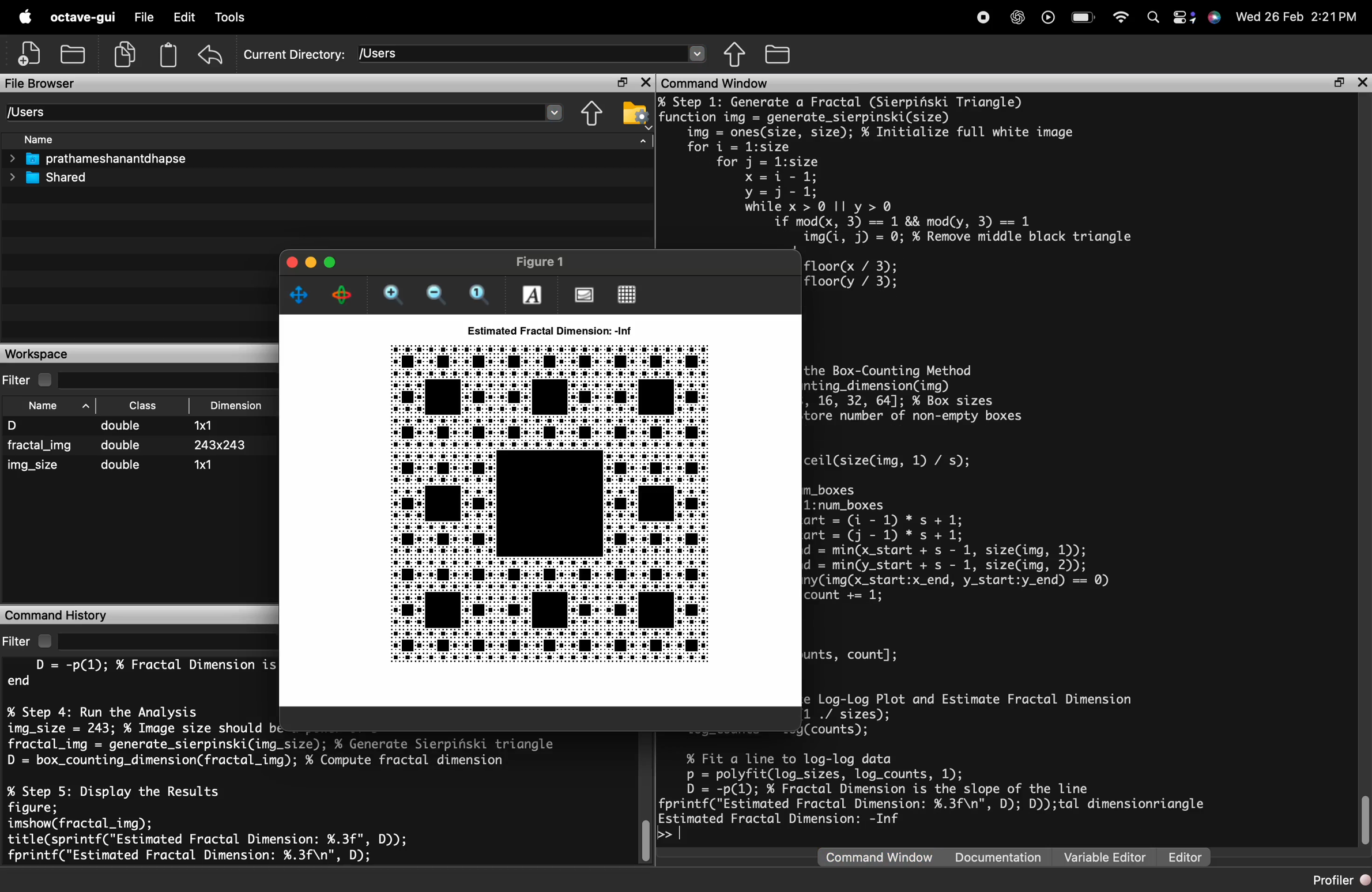  Describe the element at coordinates (345, 19) in the screenshot. I see `Window` at that location.